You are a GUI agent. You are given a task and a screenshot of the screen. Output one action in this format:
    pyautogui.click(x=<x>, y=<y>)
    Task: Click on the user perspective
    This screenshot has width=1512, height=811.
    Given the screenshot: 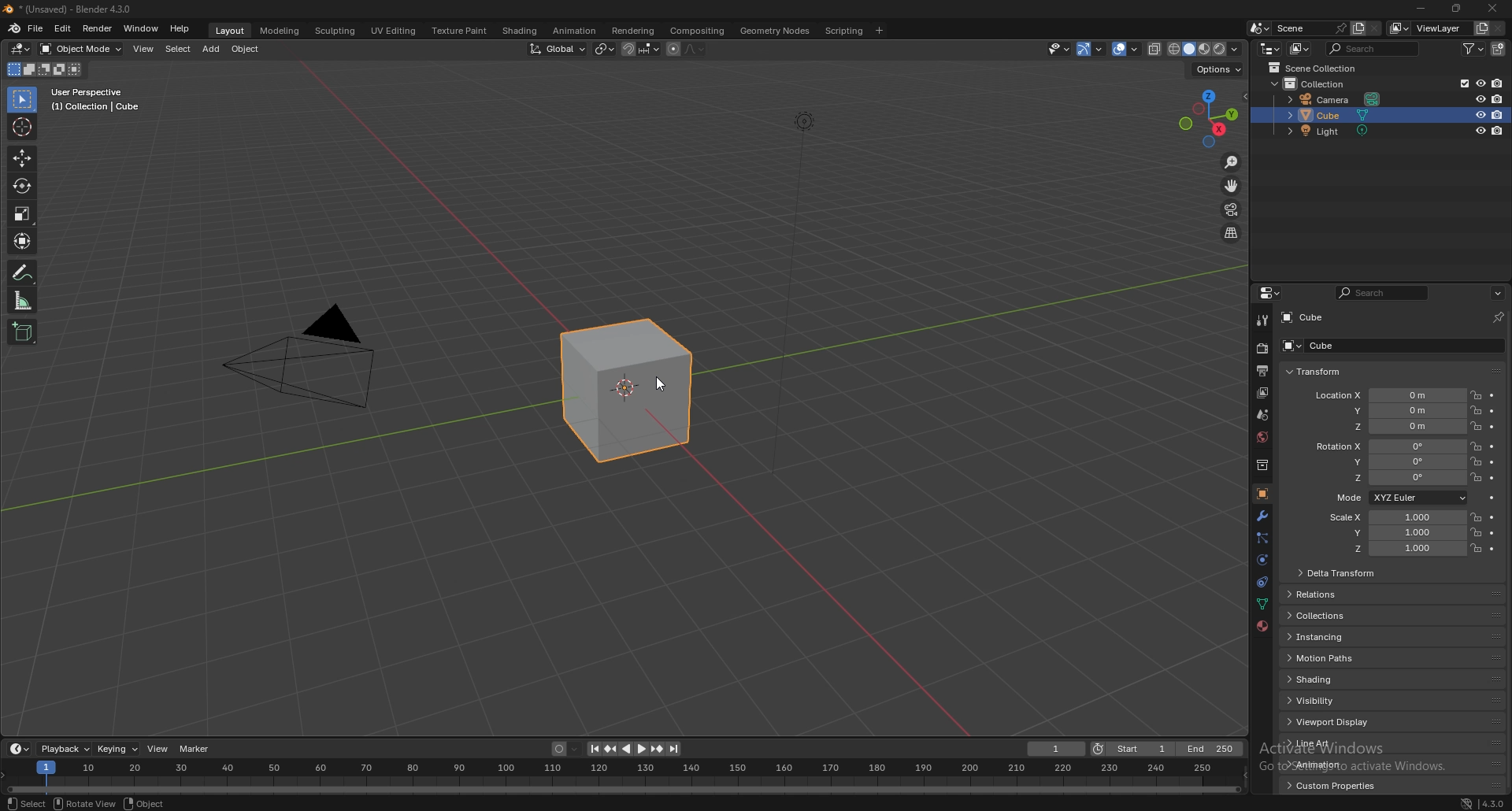 What is the action you would take?
    pyautogui.click(x=100, y=99)
    